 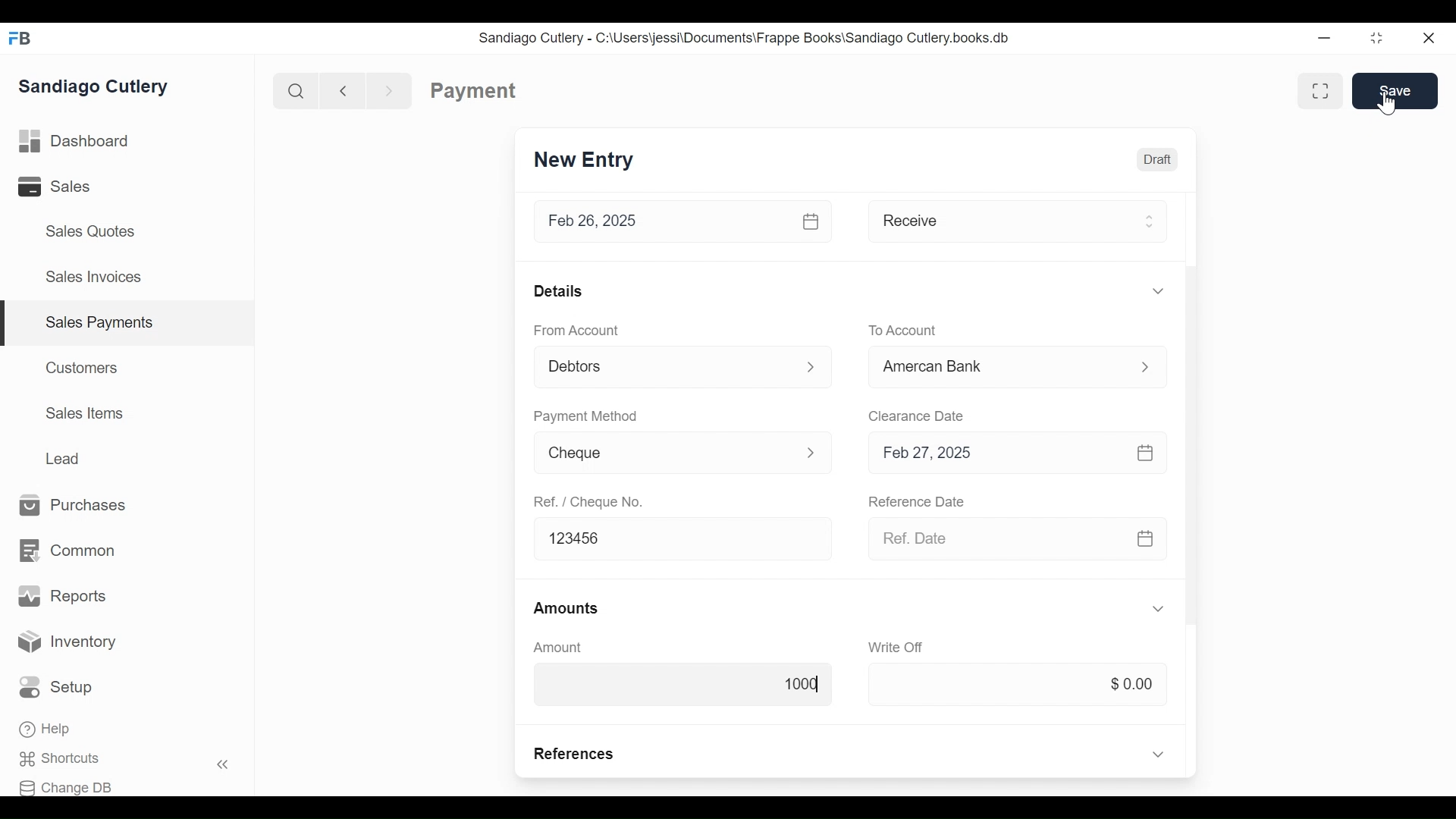 What do you see at coordinates (685, 538) in the screenshot?
I see `123456` at bounding box center [685, 538].